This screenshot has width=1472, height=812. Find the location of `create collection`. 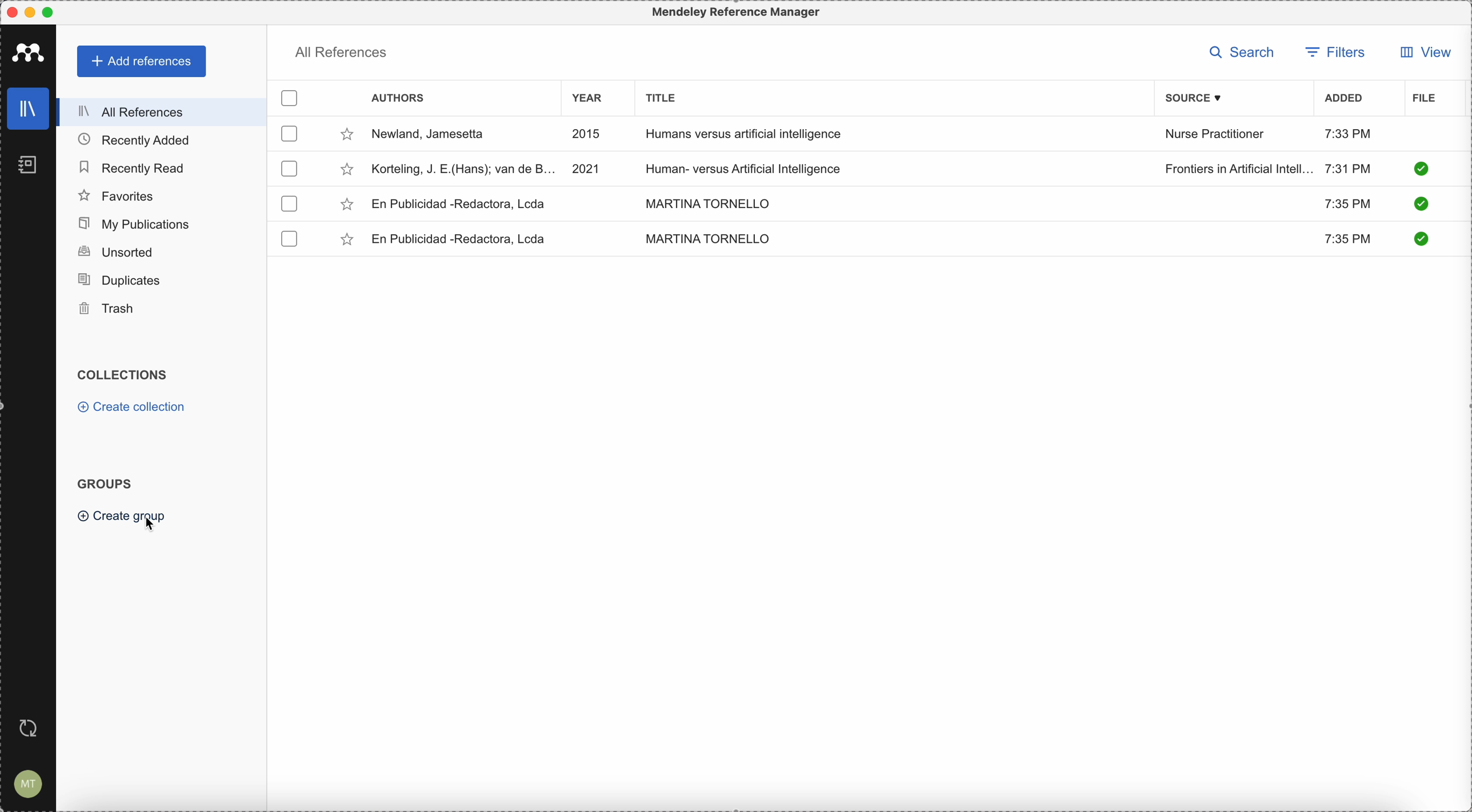

create collection is located at coordinates (134, 409).